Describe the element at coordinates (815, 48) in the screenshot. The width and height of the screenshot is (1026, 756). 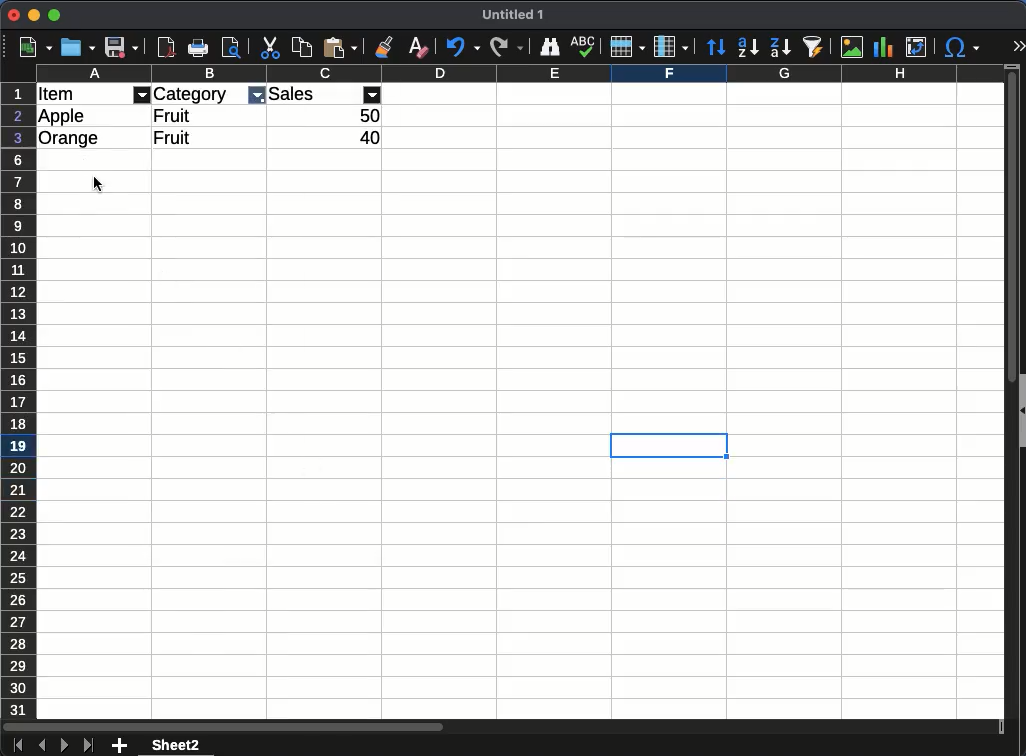
I see `autofilter` at that location.